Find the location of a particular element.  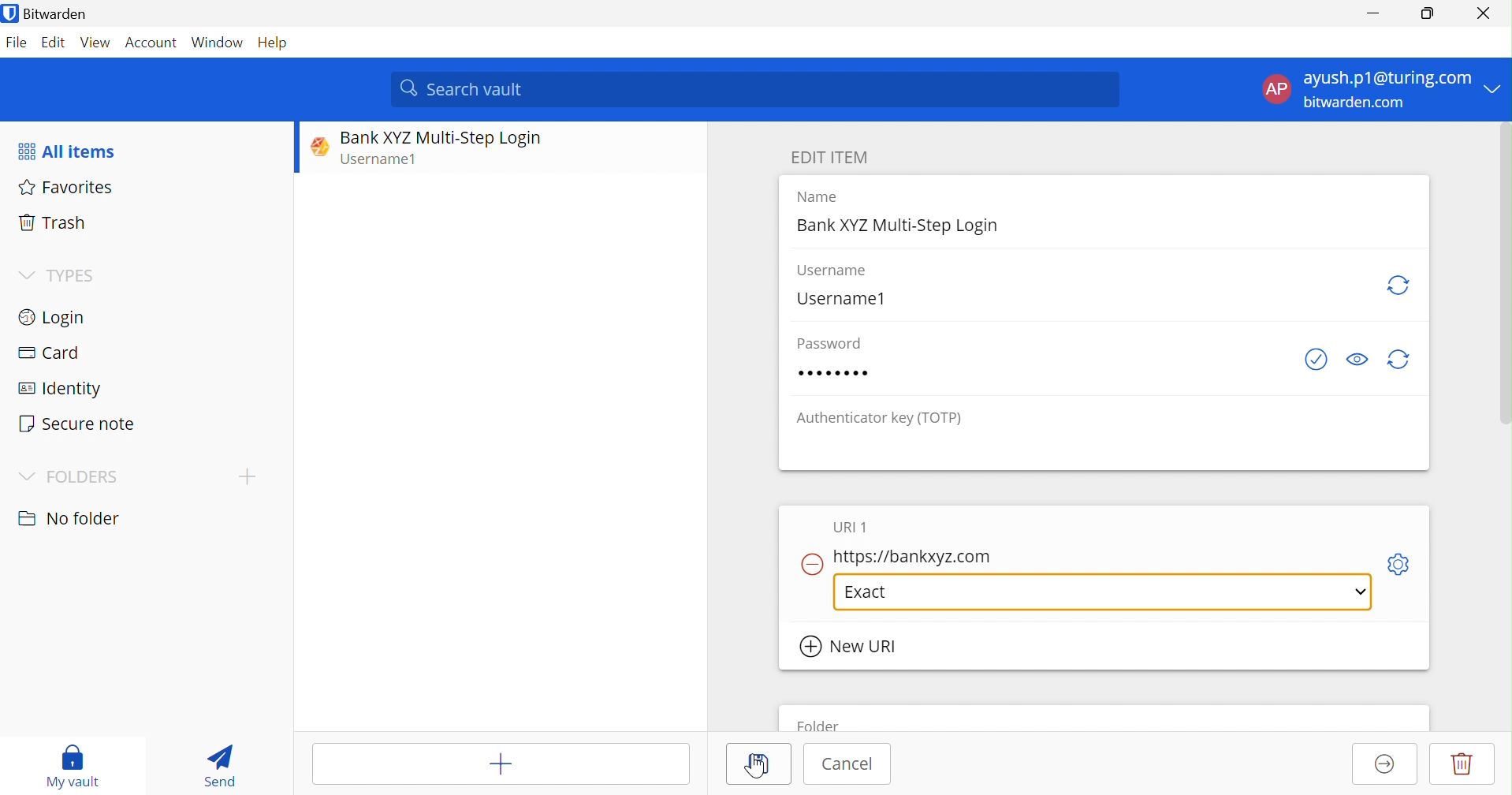

All items is located at coordinates (65, 152).